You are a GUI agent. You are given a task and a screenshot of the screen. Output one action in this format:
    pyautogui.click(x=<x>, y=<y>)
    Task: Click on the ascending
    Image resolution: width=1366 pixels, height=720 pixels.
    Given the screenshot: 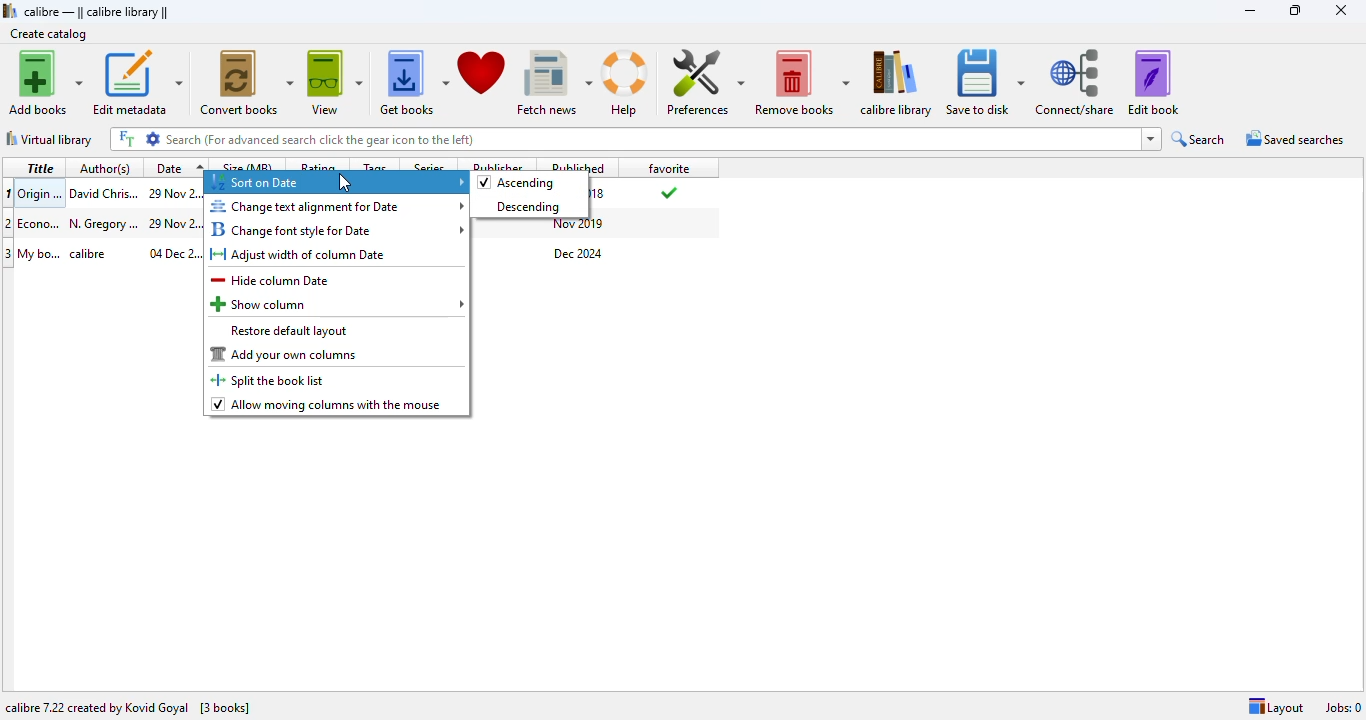 What is the action you would take?
    pyautogui.click(x=517, y=183)
    